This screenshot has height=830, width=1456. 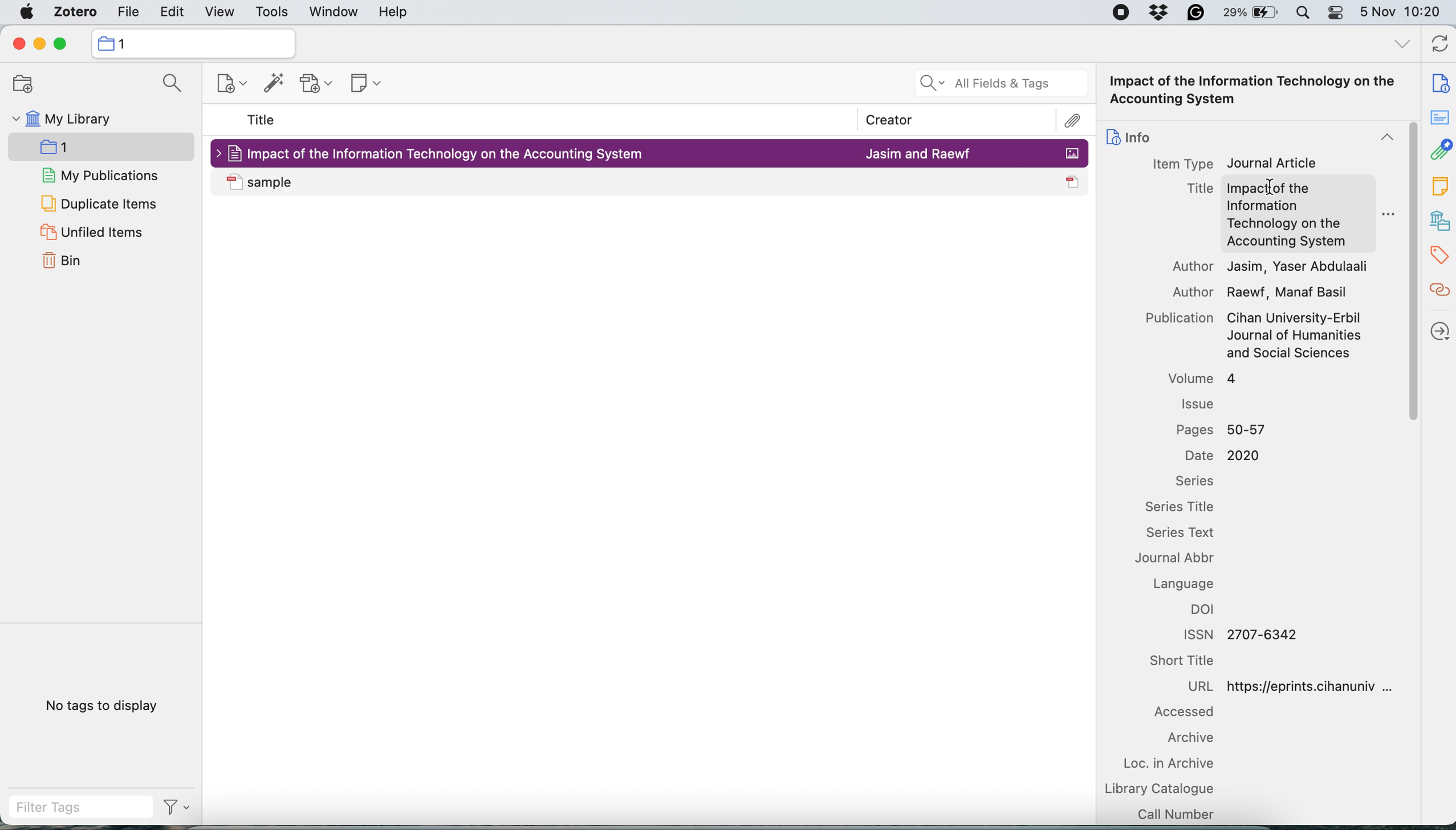 I want to click on more options, so click(x=1387, y=215).